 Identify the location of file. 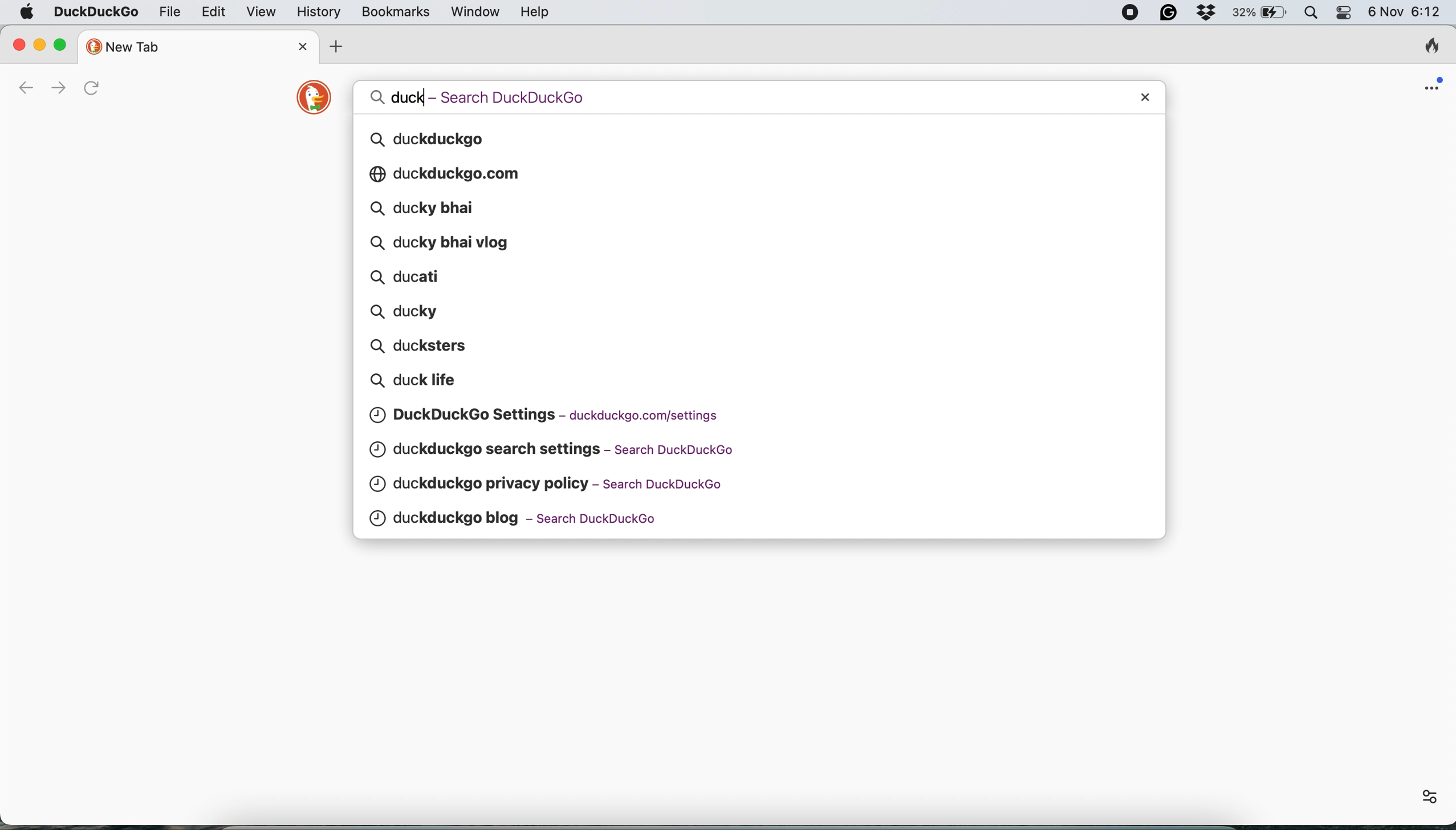
(170, 11).